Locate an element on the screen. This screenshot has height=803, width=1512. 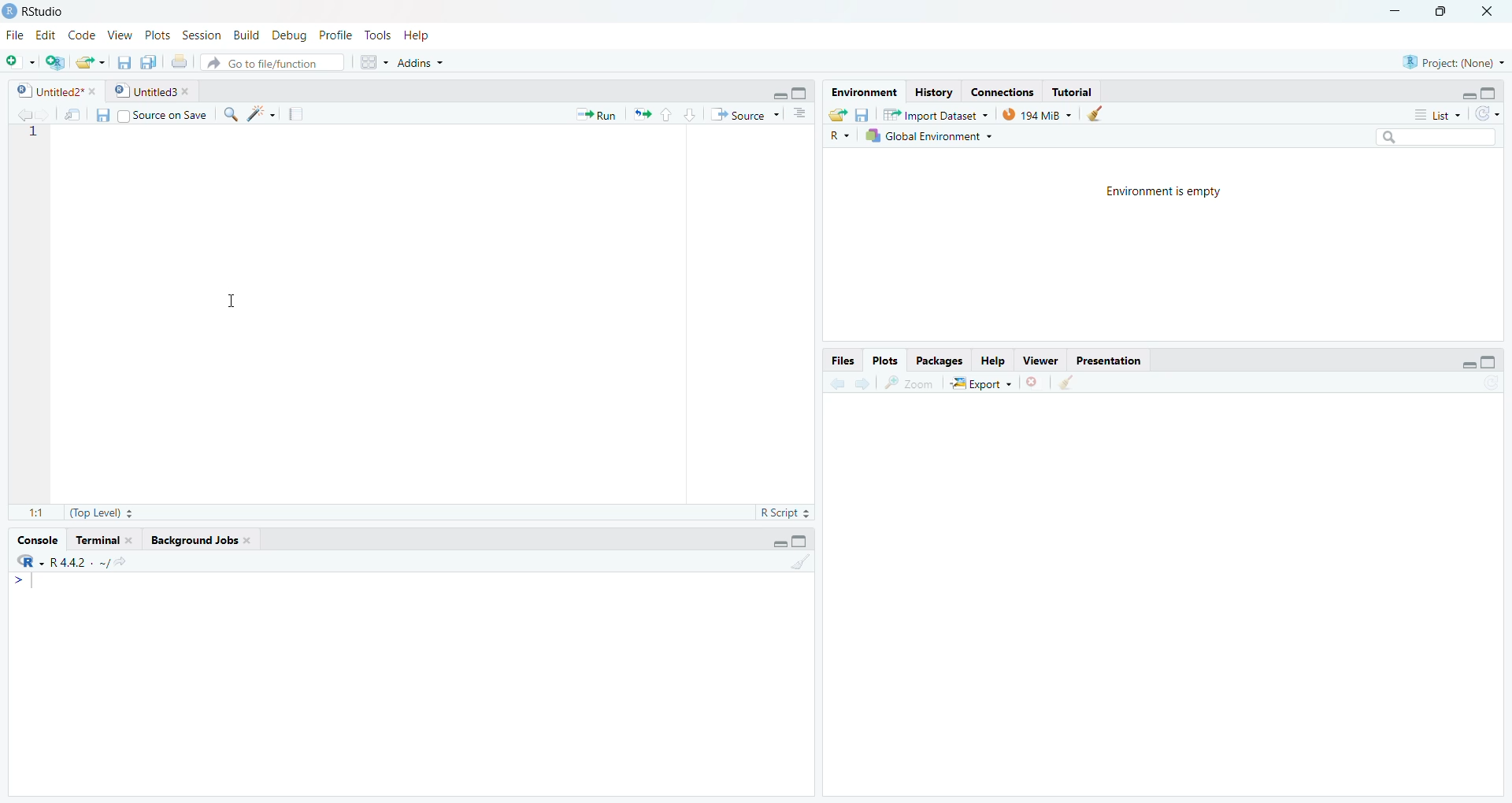
up is located at coordinates (666, 114).